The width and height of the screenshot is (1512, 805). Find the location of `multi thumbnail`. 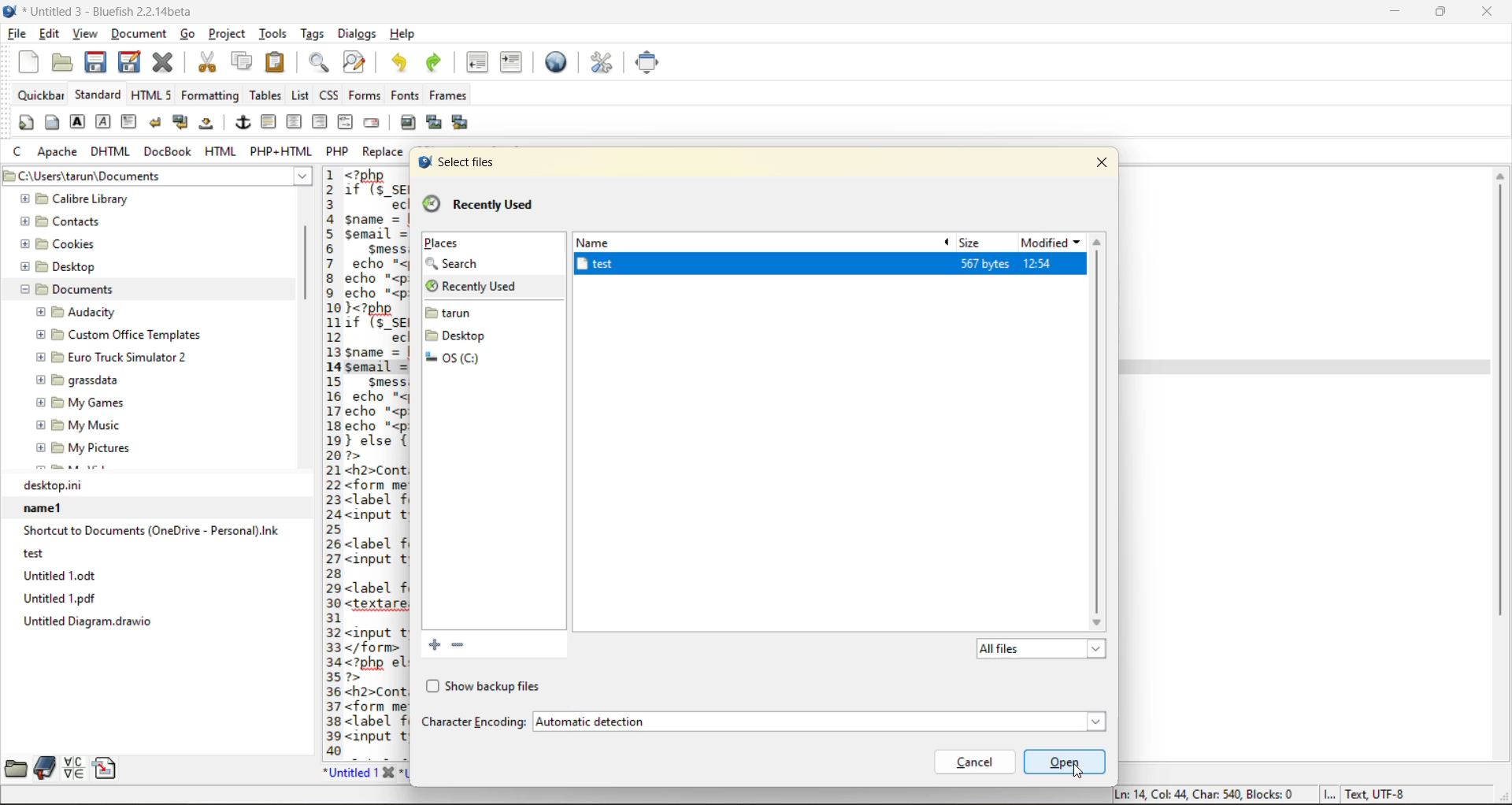

multi thumbnail is located at coordinates (458, 123).